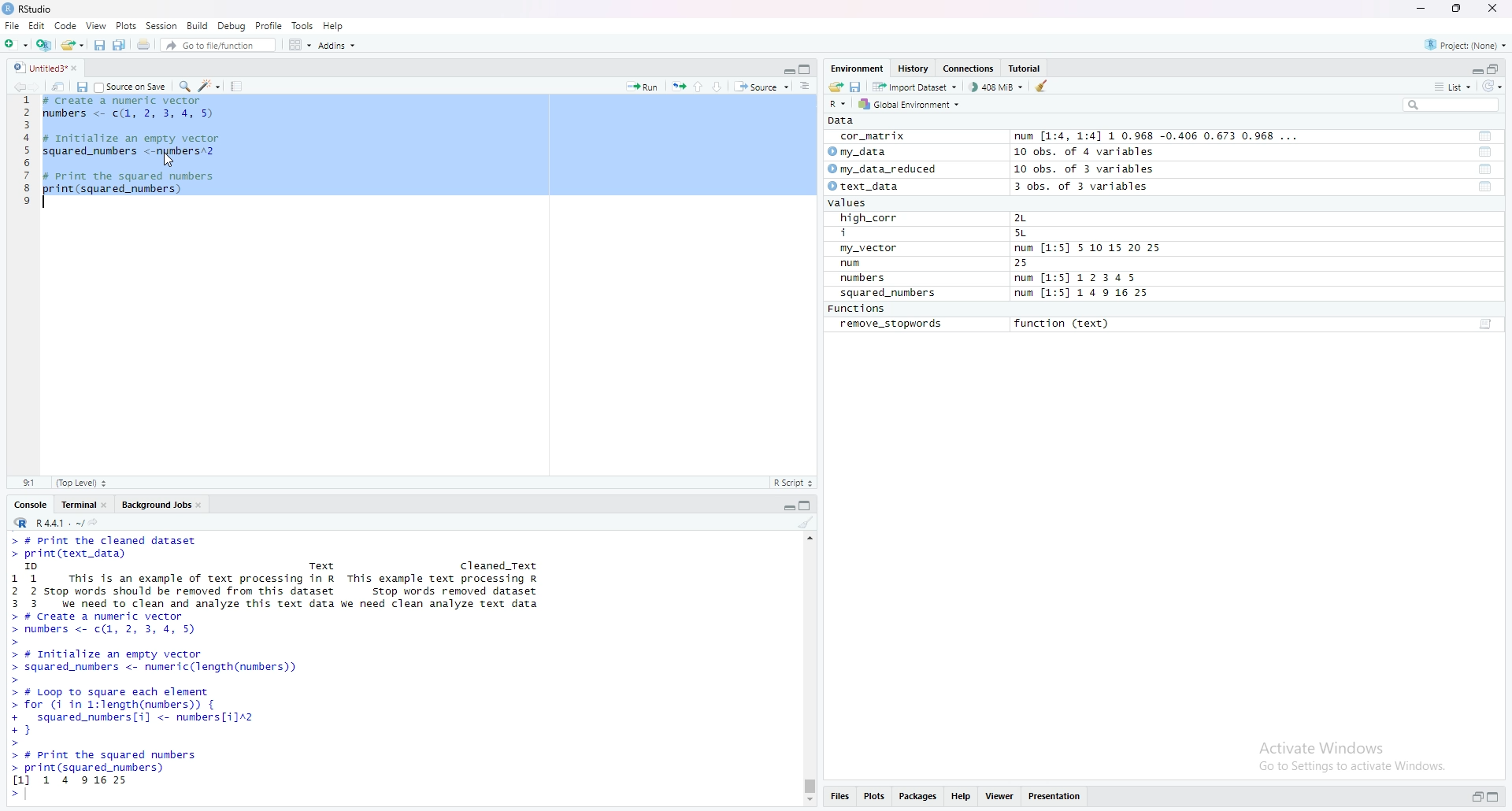  What do you see at coordinates (76, 503) in the screenshot?
I see `Terminal` at bounding box center [76, 503].